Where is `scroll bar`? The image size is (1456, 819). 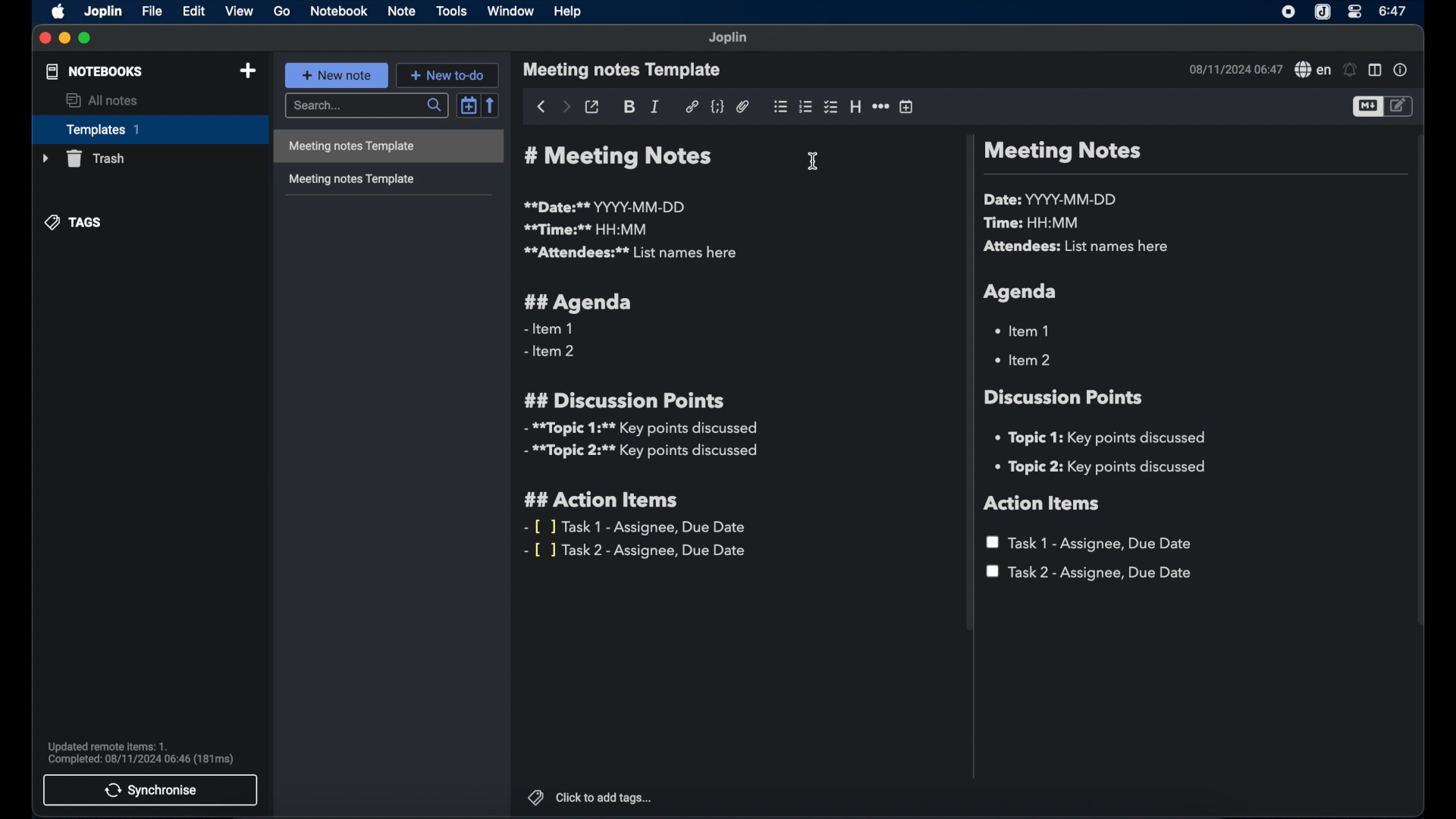 scroll bar is located at coordinates (1421, 390).